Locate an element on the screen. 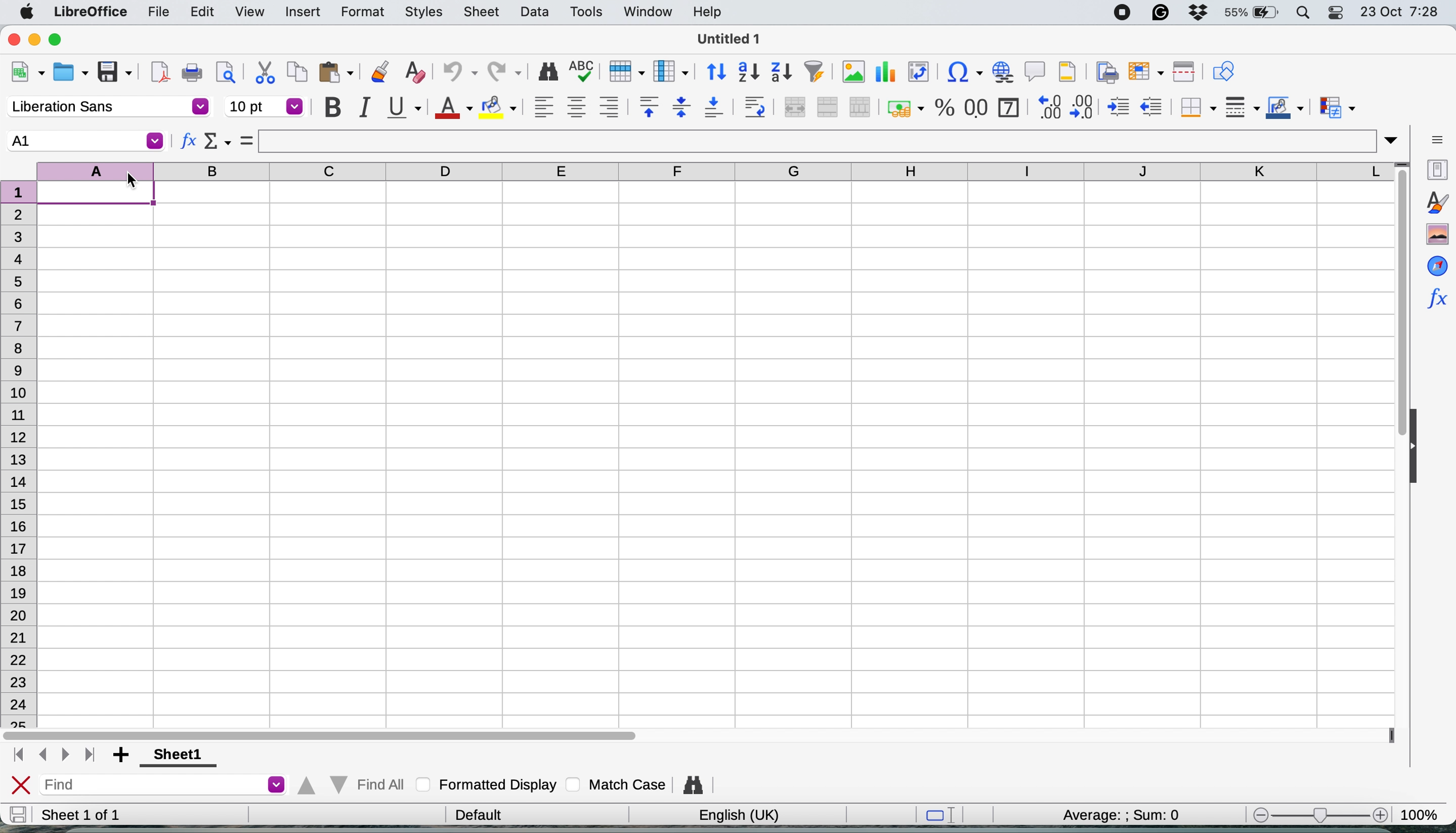  headers and footers is located at coordinates (1069, 72).